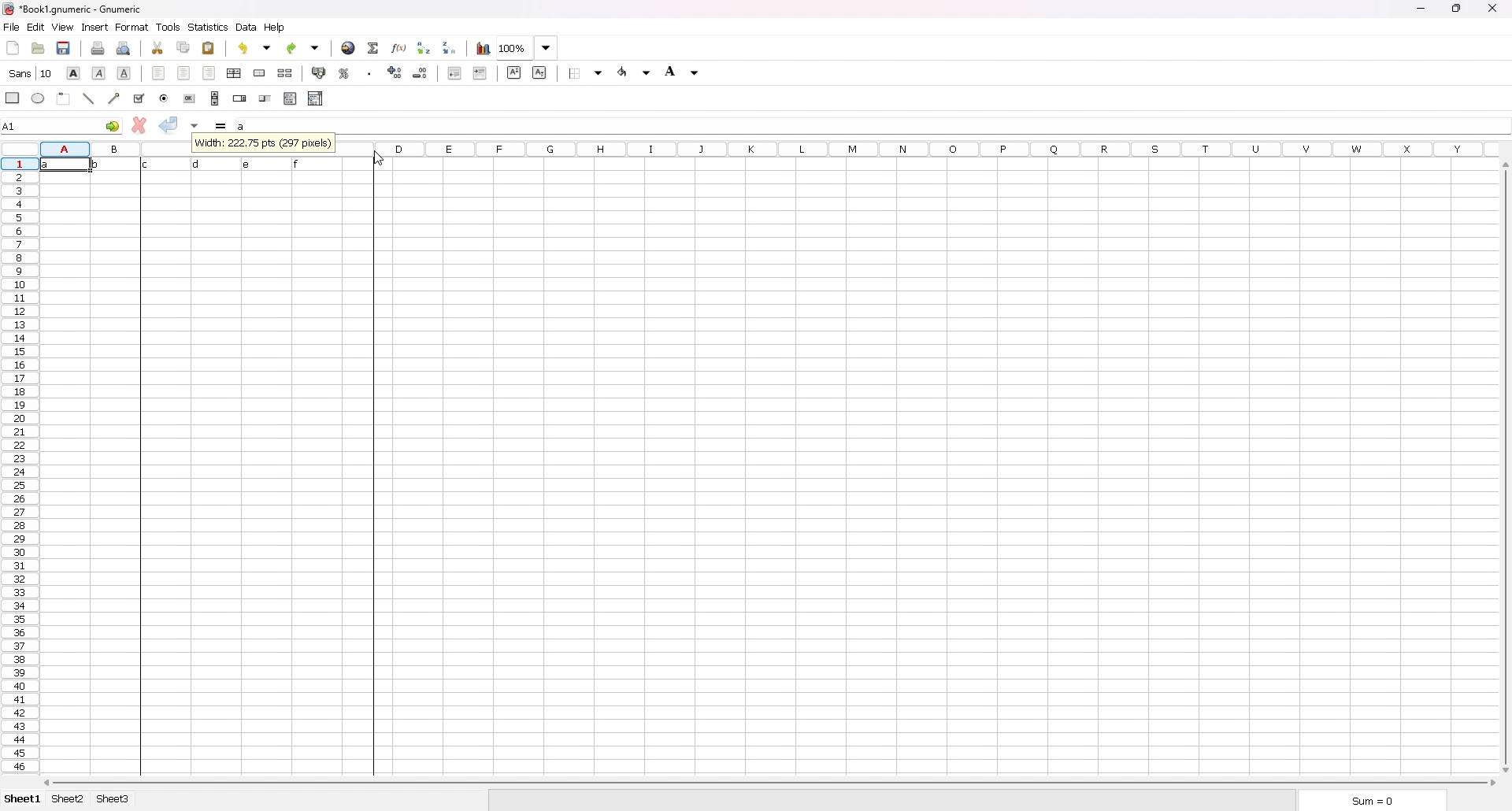 The height and width of the screenshot is (811, 1512). Describe the element at coordinates (68, 800) in the screenshot. I see `sheet 2` at that location.